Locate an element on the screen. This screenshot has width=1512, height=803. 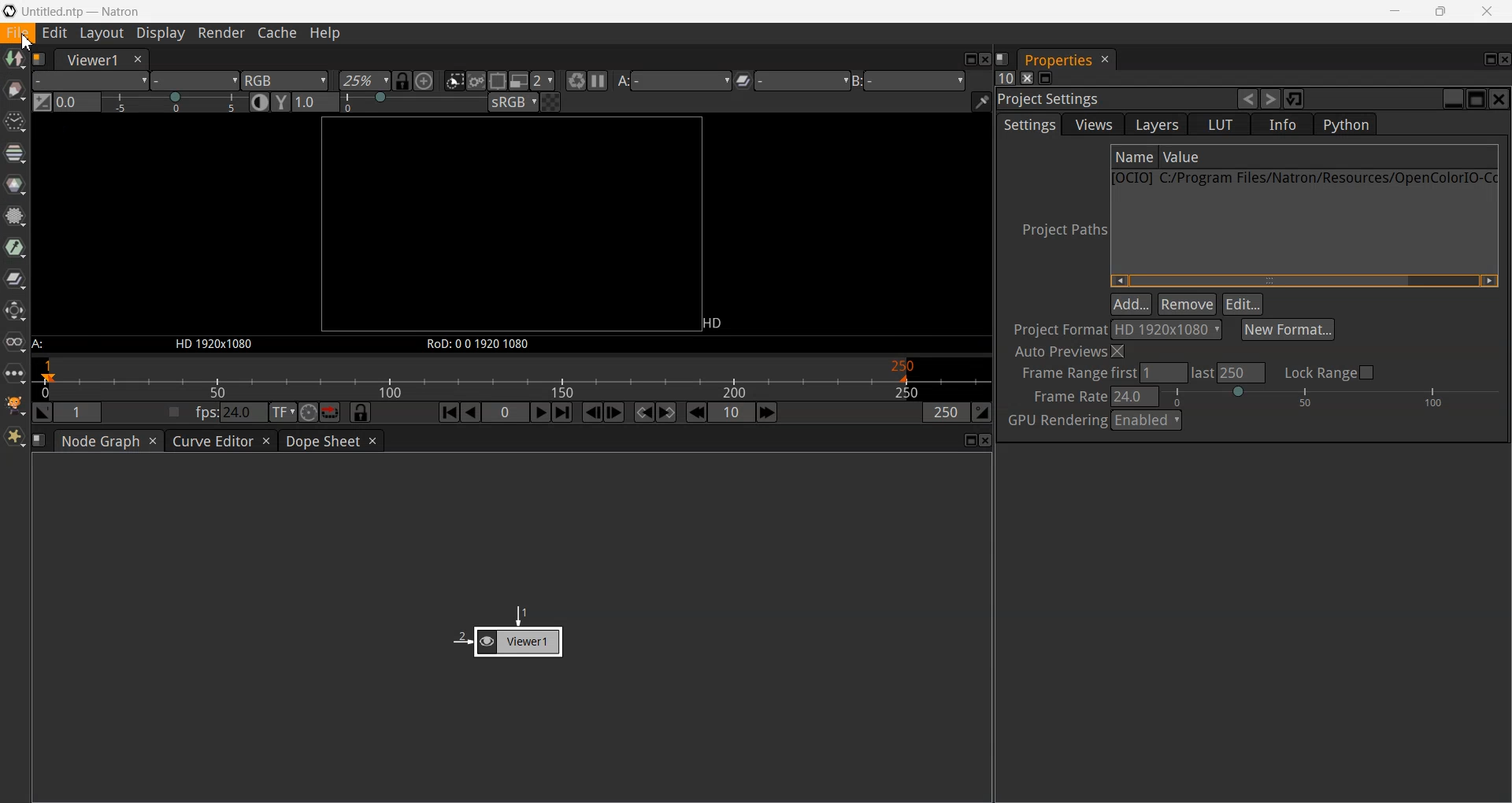
Display is located at coordinates (160, 34).